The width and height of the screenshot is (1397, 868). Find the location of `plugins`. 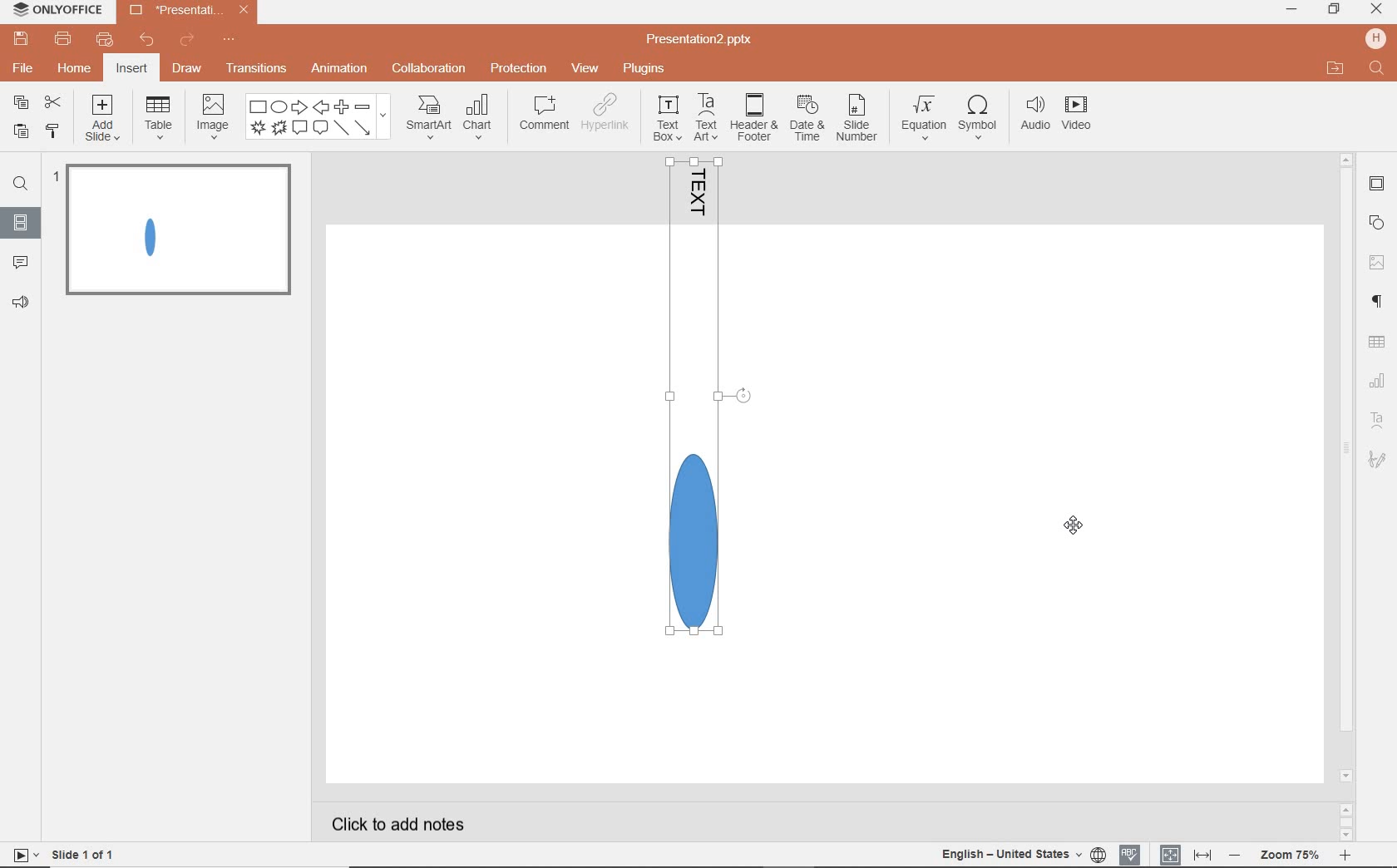

plugins is located at coordinates (643, 70).